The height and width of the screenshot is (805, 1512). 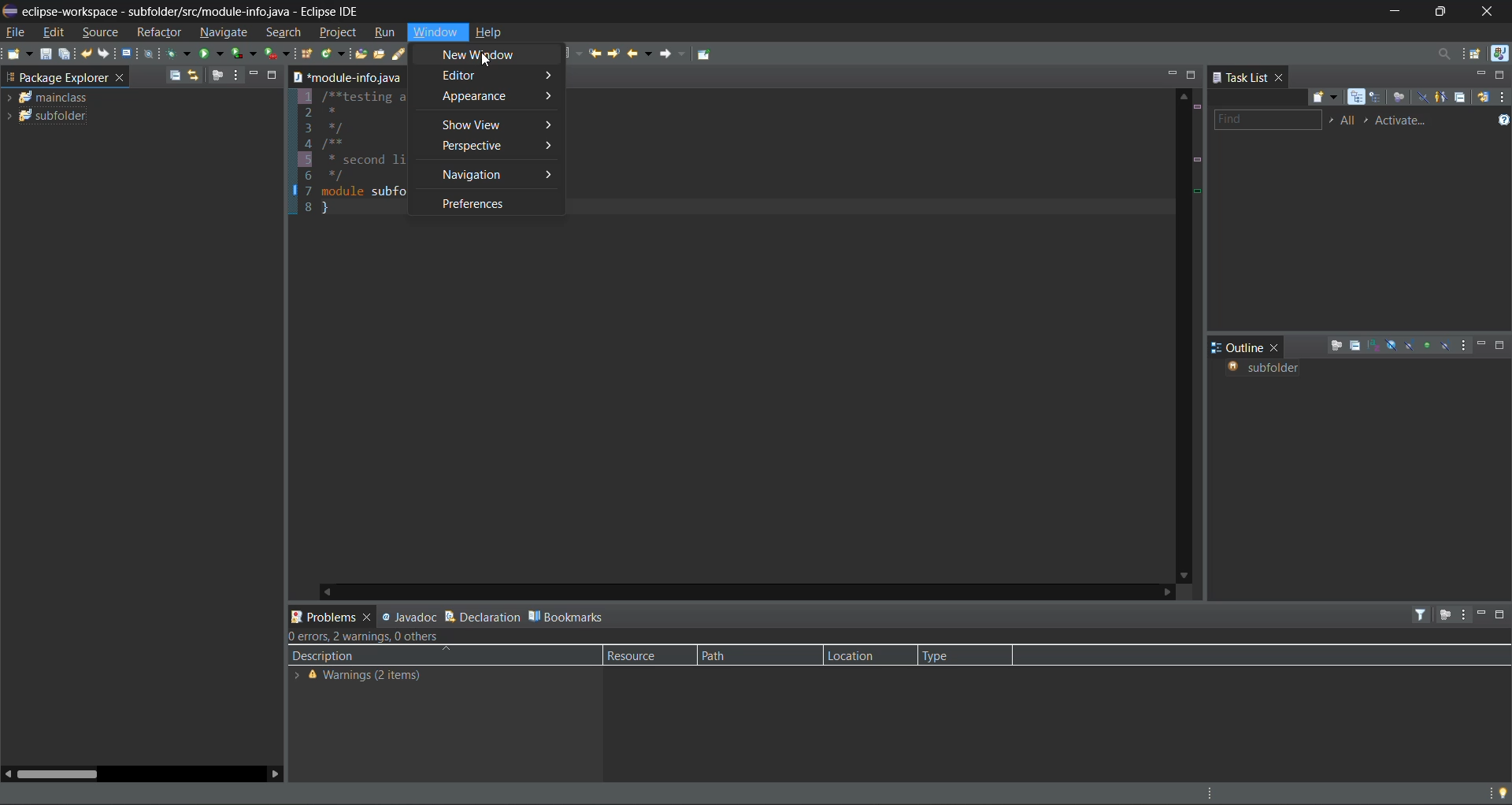 What do you see at coordinates (1411, 121) in the screenshot?
I see `activate` at bounding box center [1411, 121].